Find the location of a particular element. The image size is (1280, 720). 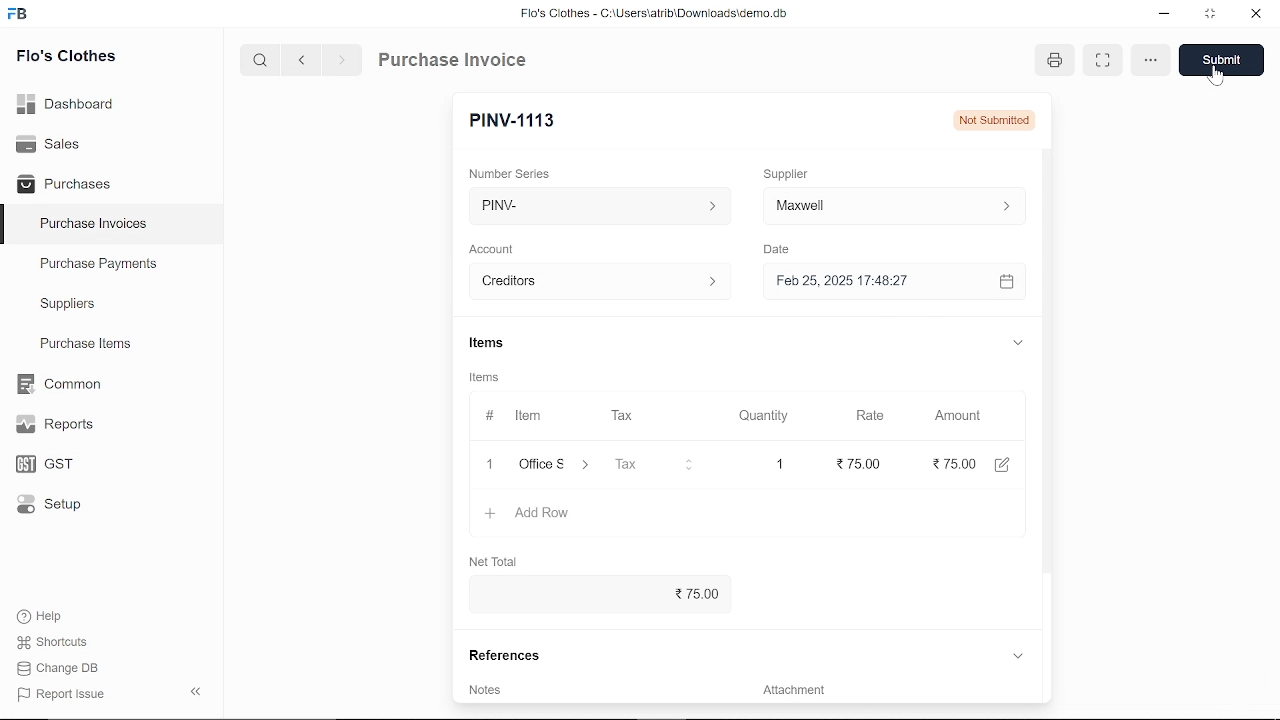

Reports is located at coordinates (54, 425).